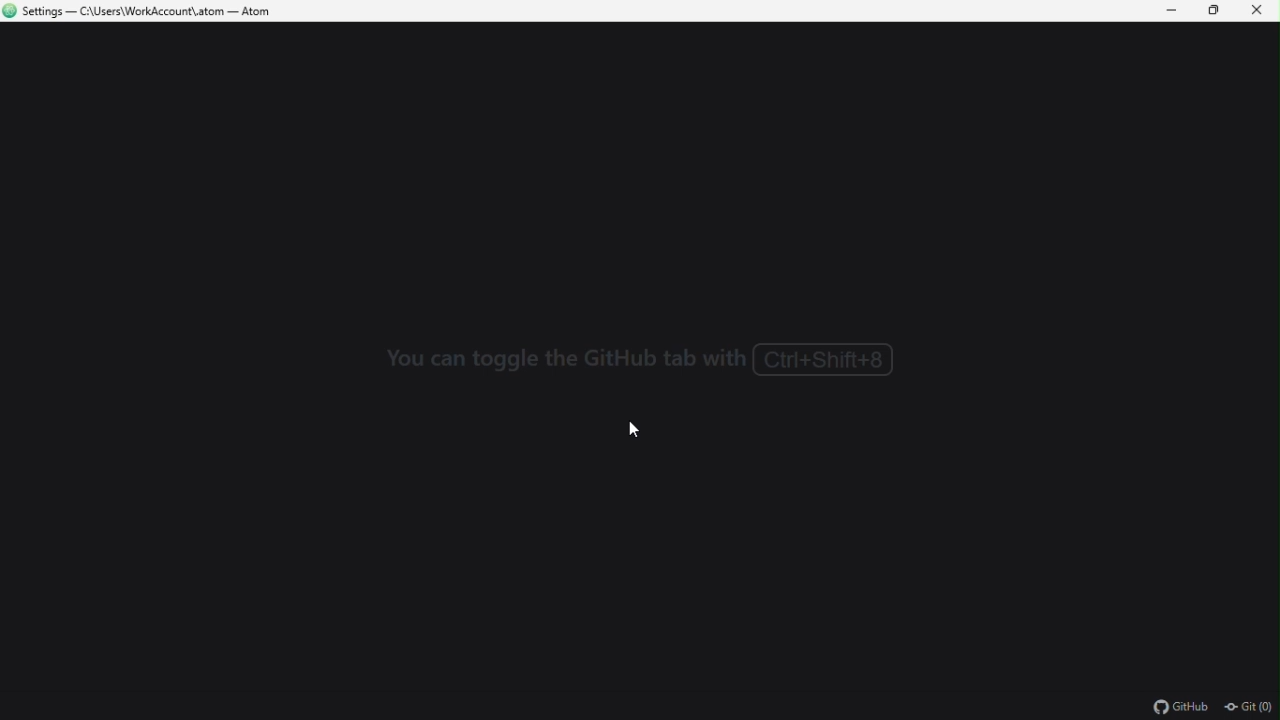 The image size is (1280, 720). What do you see at coordinates (1252, 706) in the screenshot?
I see `git` at bounding box center [1252, 706].